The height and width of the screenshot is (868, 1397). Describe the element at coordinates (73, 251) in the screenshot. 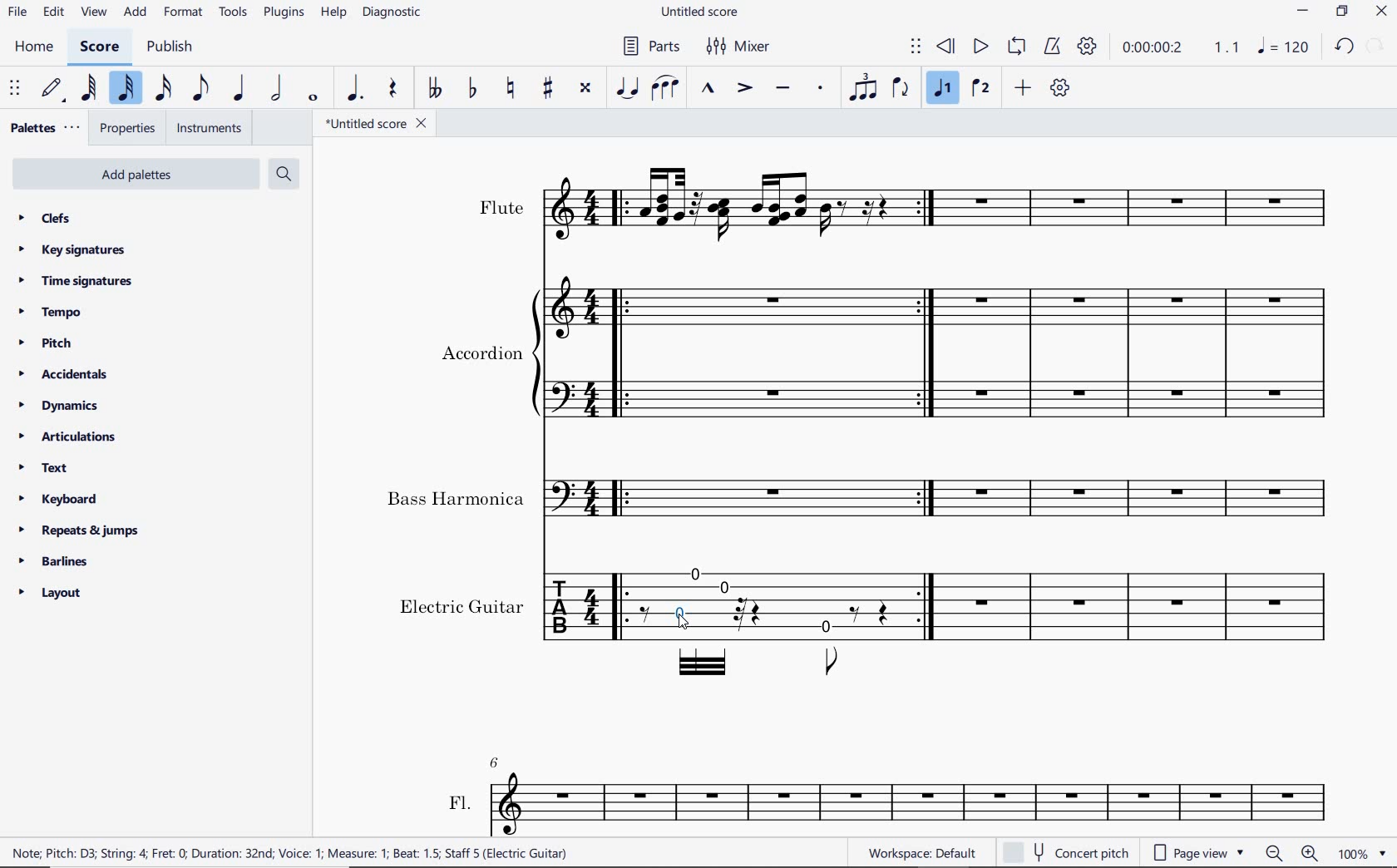

I see `key signatures` at that location.